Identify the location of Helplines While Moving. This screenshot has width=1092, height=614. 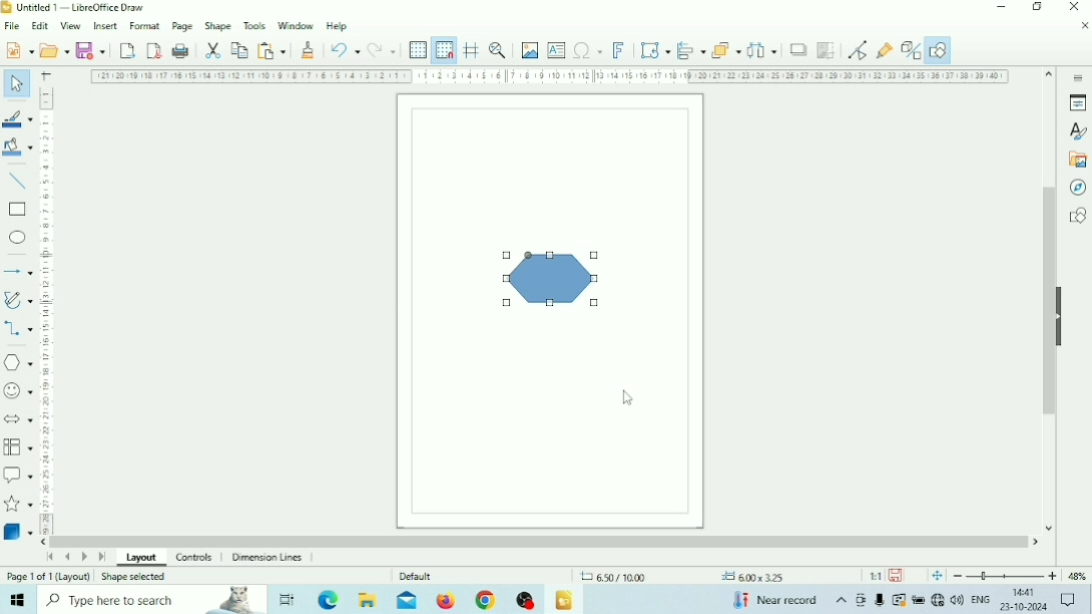
(472, 49).